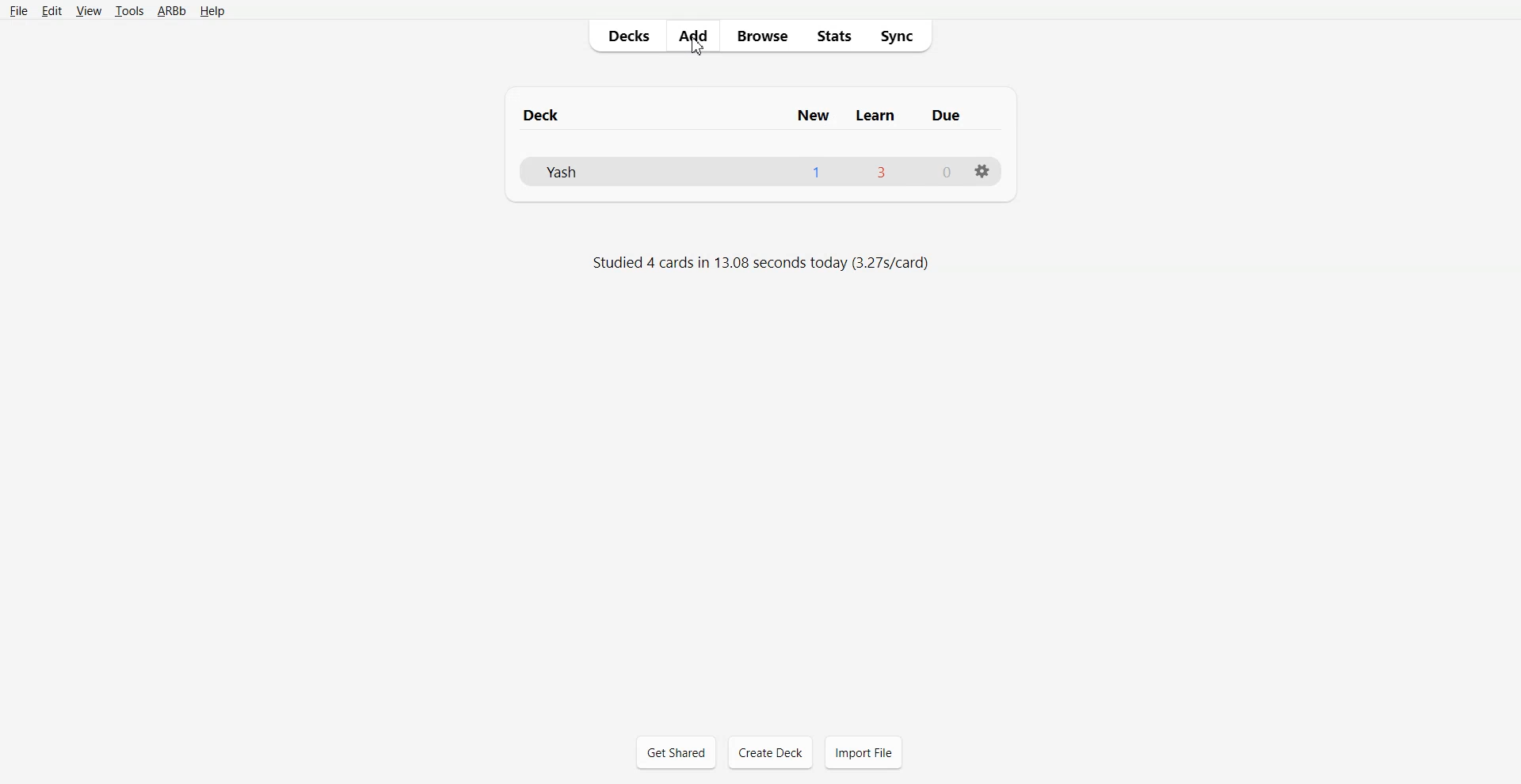 Image resolution: width=1521 pixels, height=784 pixels. I want to click on Text 1, so click(759, 115).